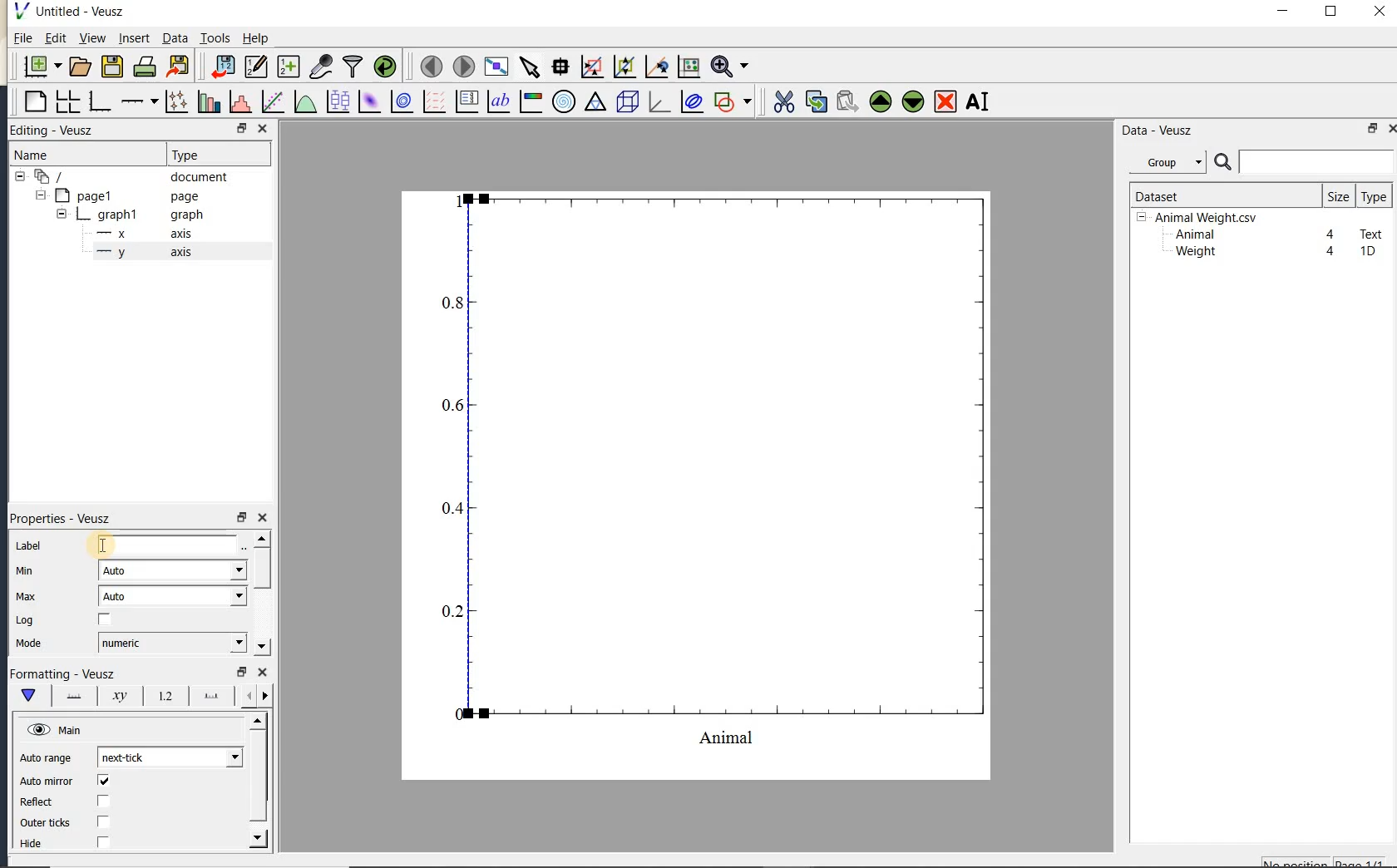 The width and height of the screenshot is (1397, 868). What do you see at coordinates (71, 696) in the screenshot?
I see `axis line` at bounding box center [71, 696].